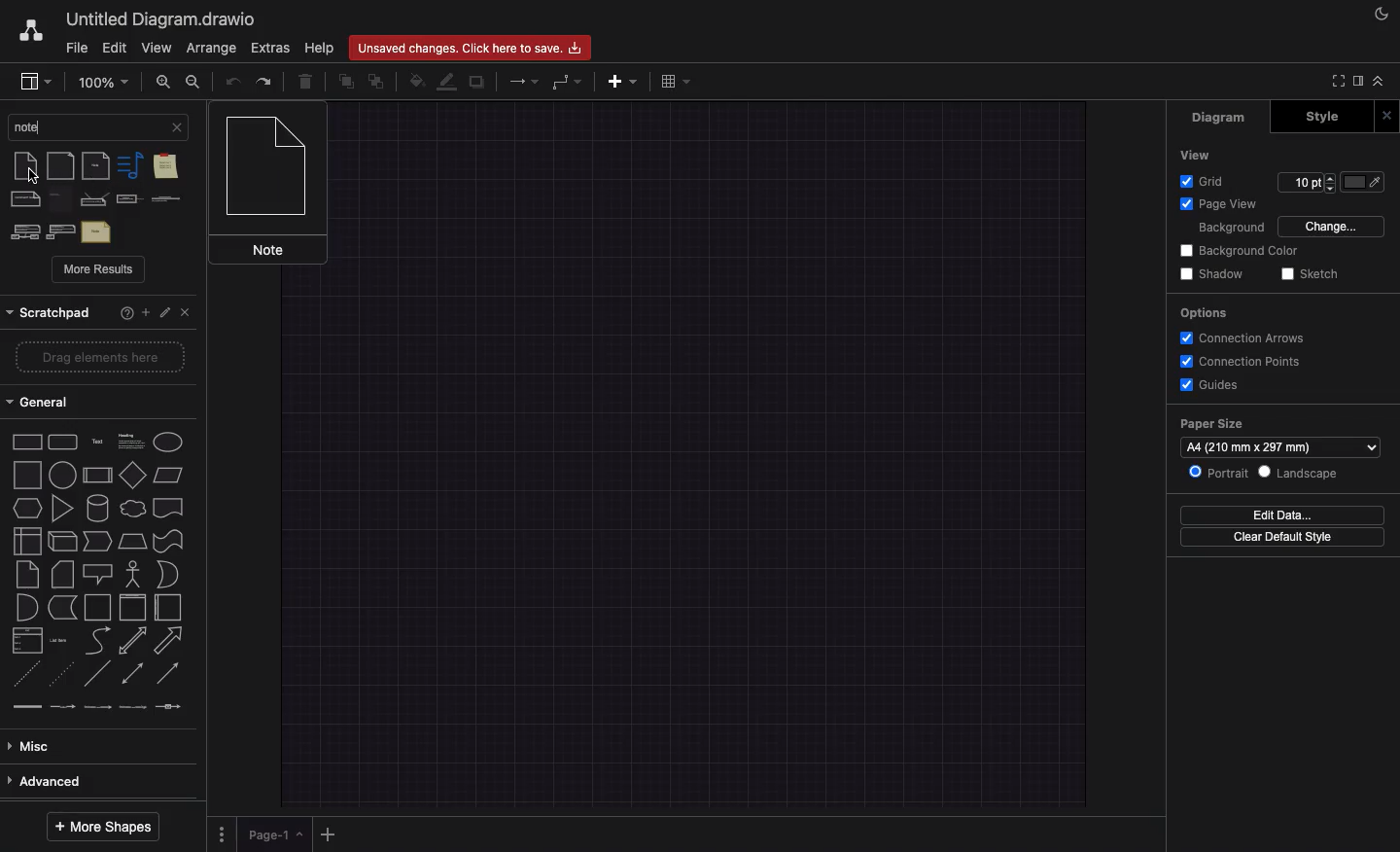 Image resolution: width=1400 pixels, height=852 pixels. I want to click on list, so click(27, 643).